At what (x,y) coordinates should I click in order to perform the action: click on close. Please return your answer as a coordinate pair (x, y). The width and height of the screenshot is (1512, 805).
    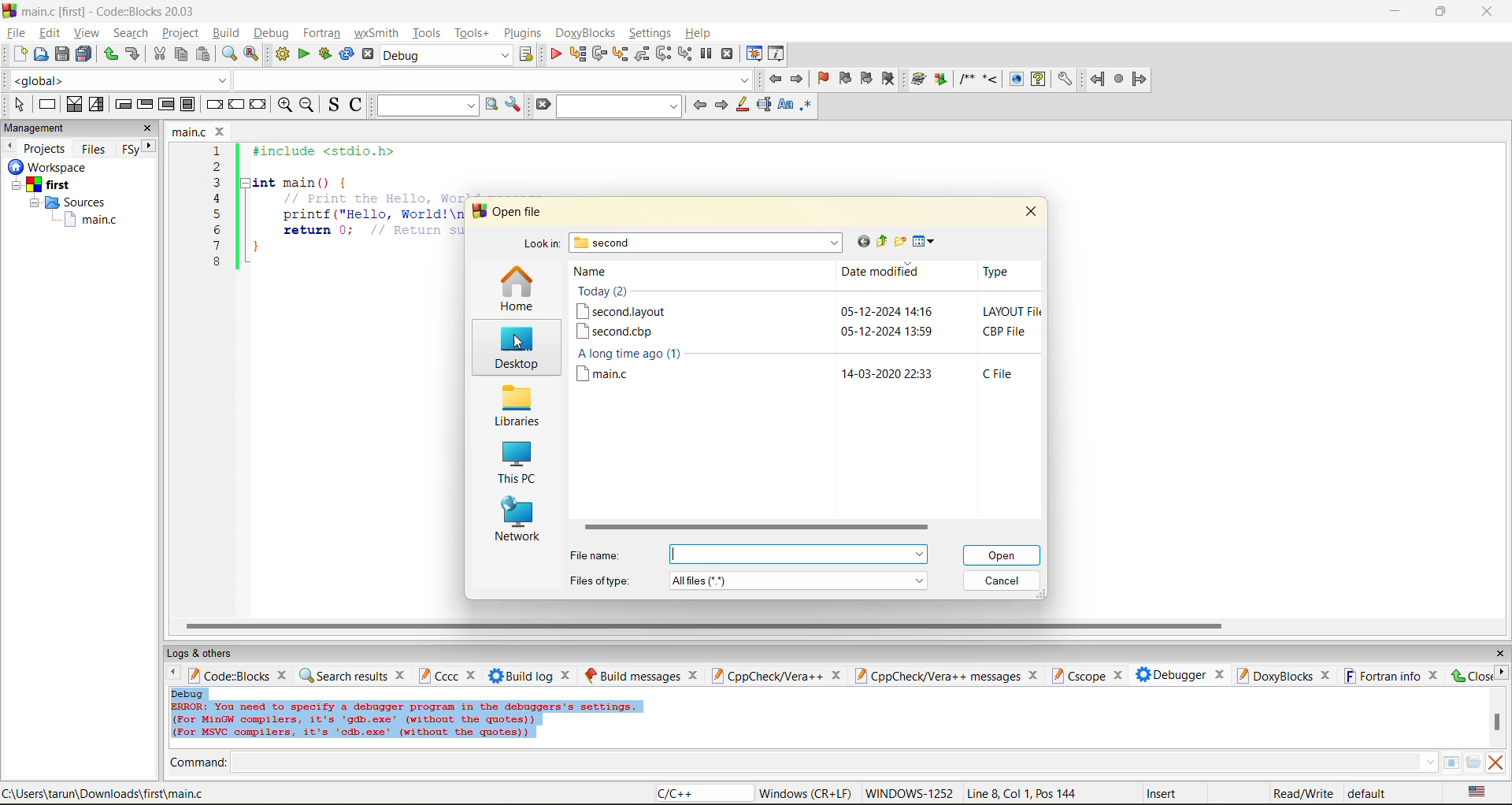
    Looking at the image, I should click on (1435, 675).